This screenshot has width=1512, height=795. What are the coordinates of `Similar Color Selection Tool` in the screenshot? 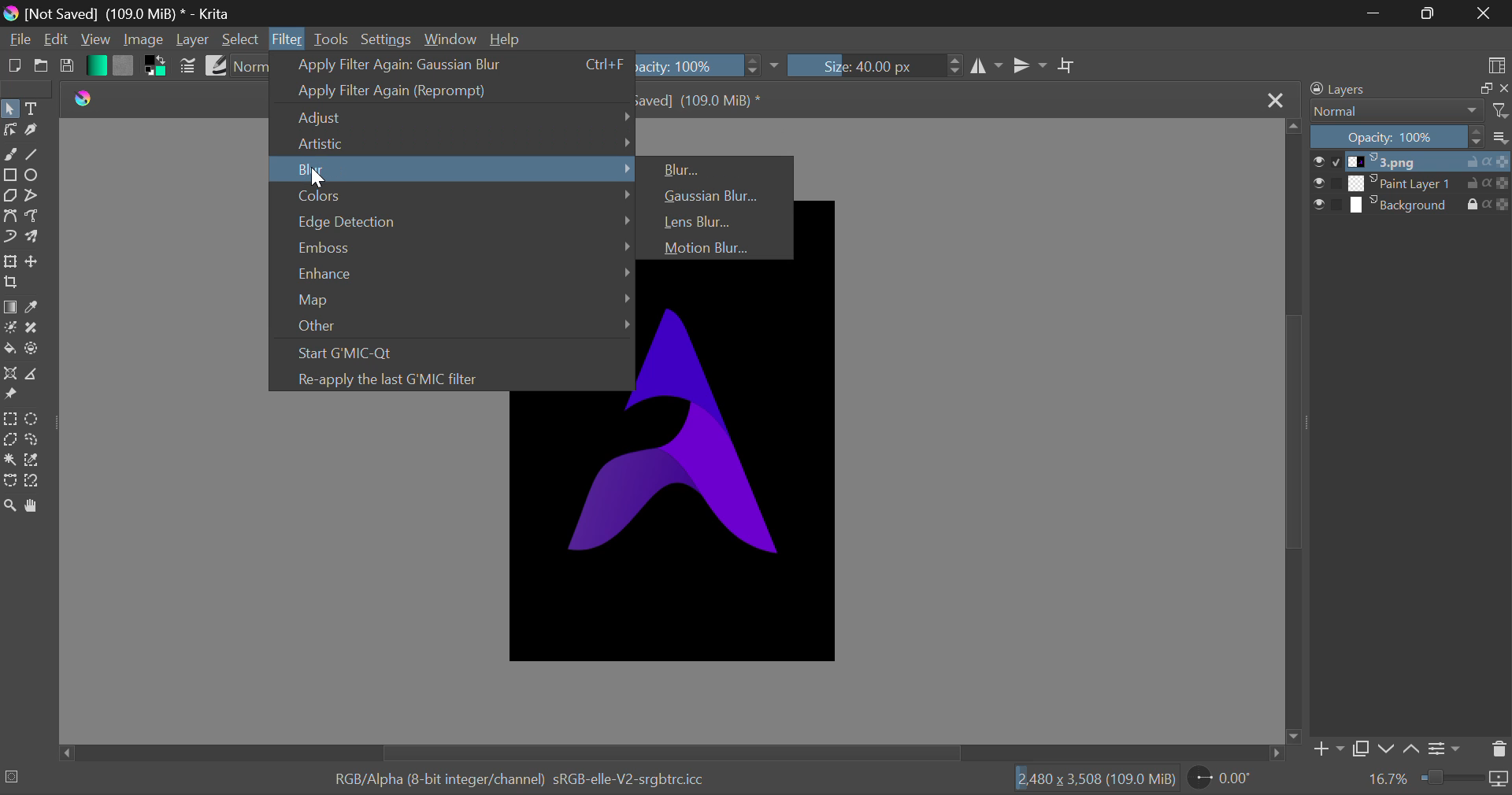 It's located at (38, 461).